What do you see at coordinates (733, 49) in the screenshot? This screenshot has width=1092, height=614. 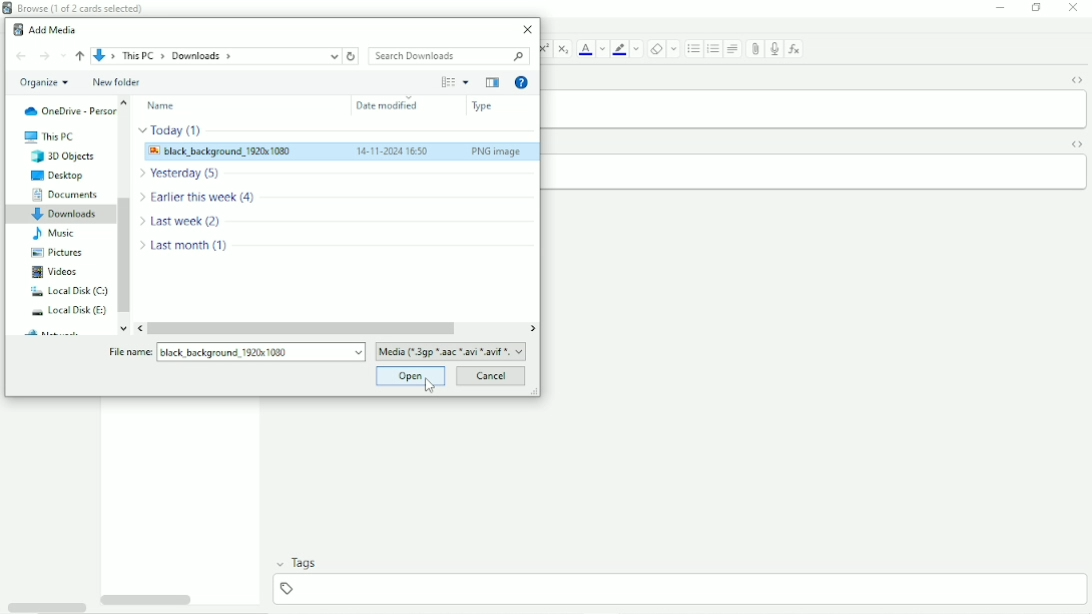 I see `Alignment` at bounding box center [733, 49].